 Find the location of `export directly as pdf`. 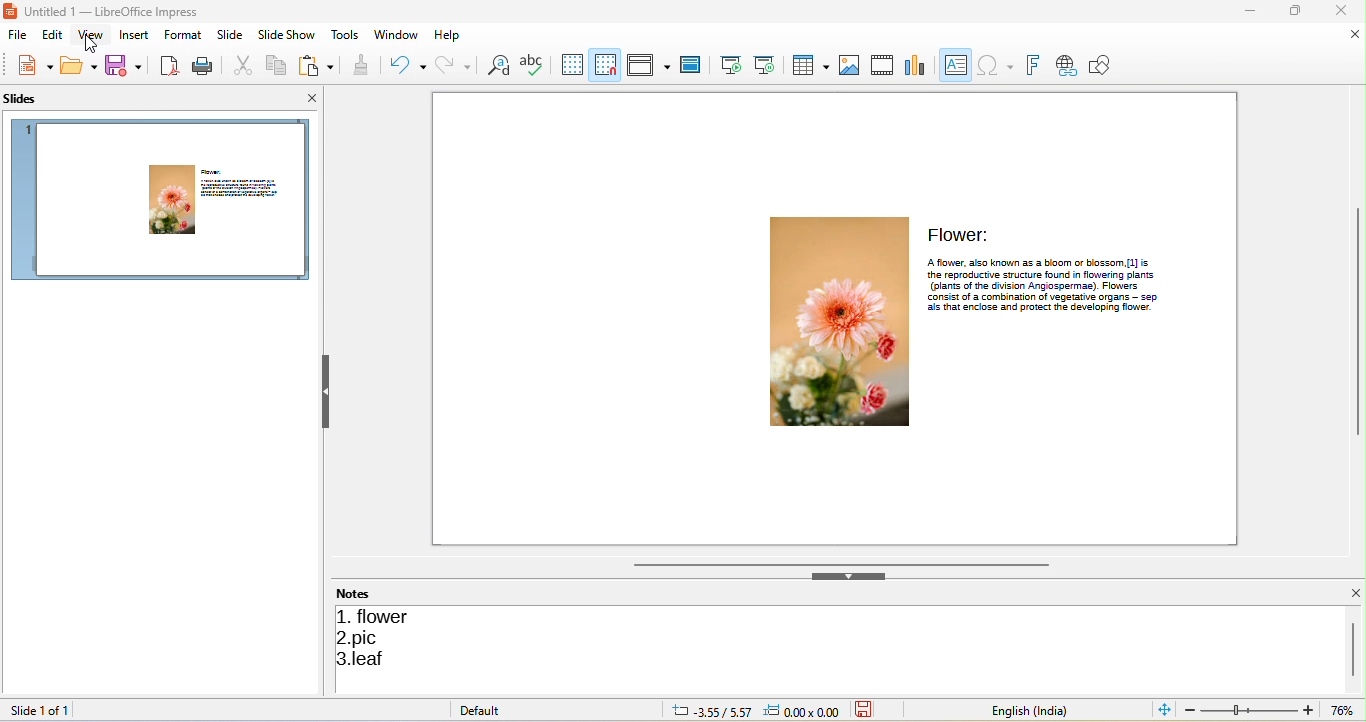

export directly as pdf is located at coordinates (169, 65).